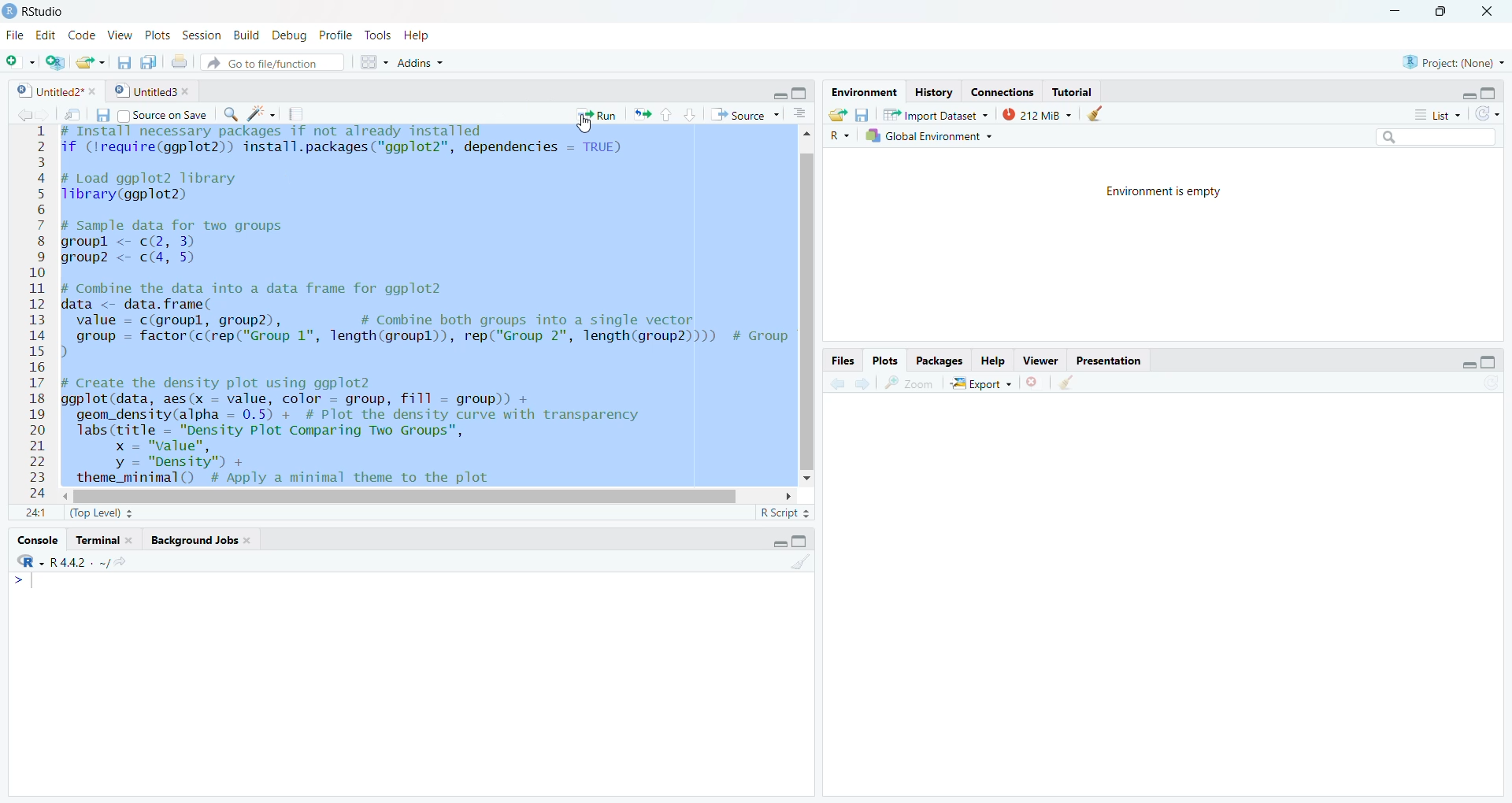 The width and height of the screenshot is (1512, 803). What do you see at coordinates (198, 543) in the screenshot?
I see `background jobs` at bounding box center [198, 543].